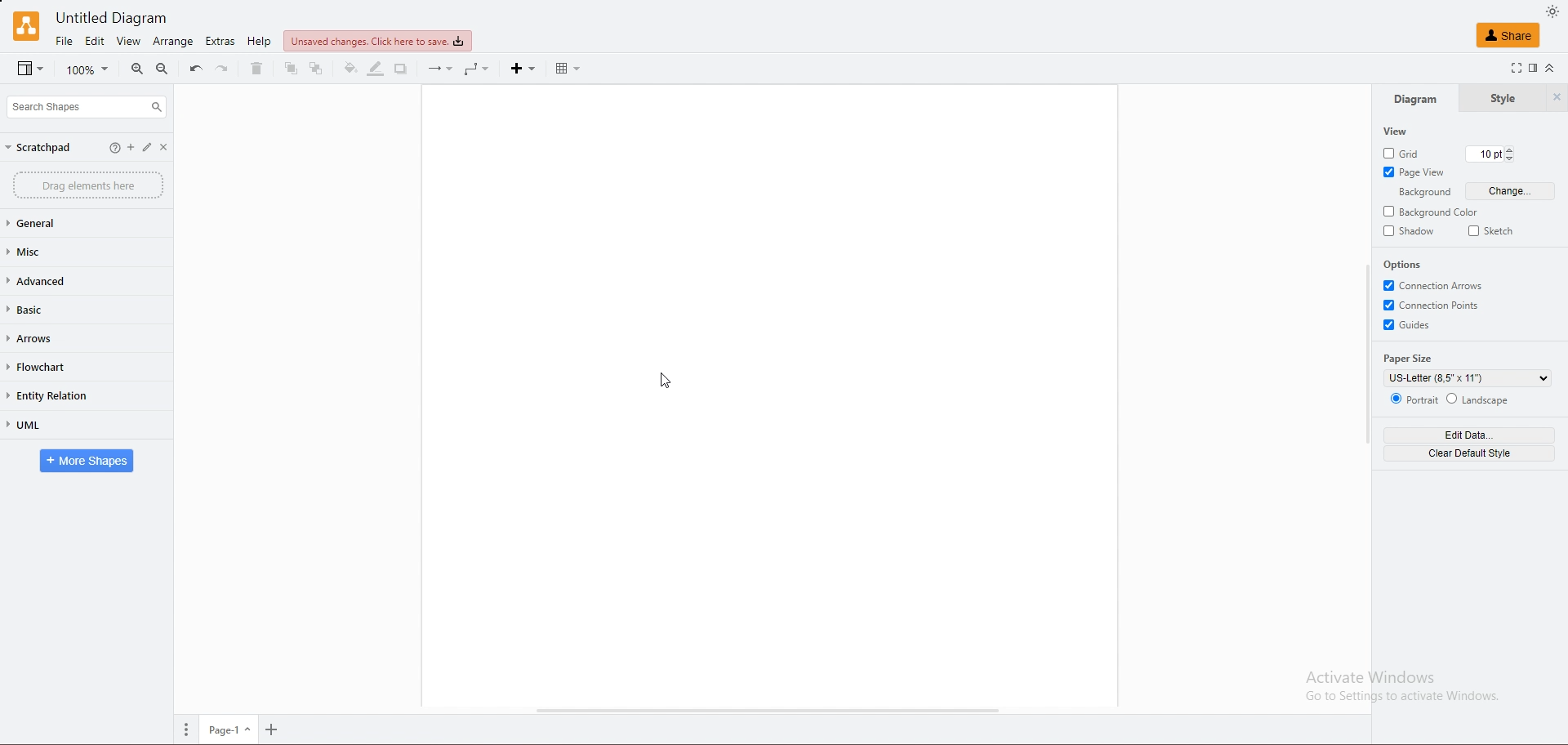 Image resolution: width=1568 pixels, height=745 pixels. Describe the element at coordinates (180, 729) in the screenshot. I see `more options` at that location.